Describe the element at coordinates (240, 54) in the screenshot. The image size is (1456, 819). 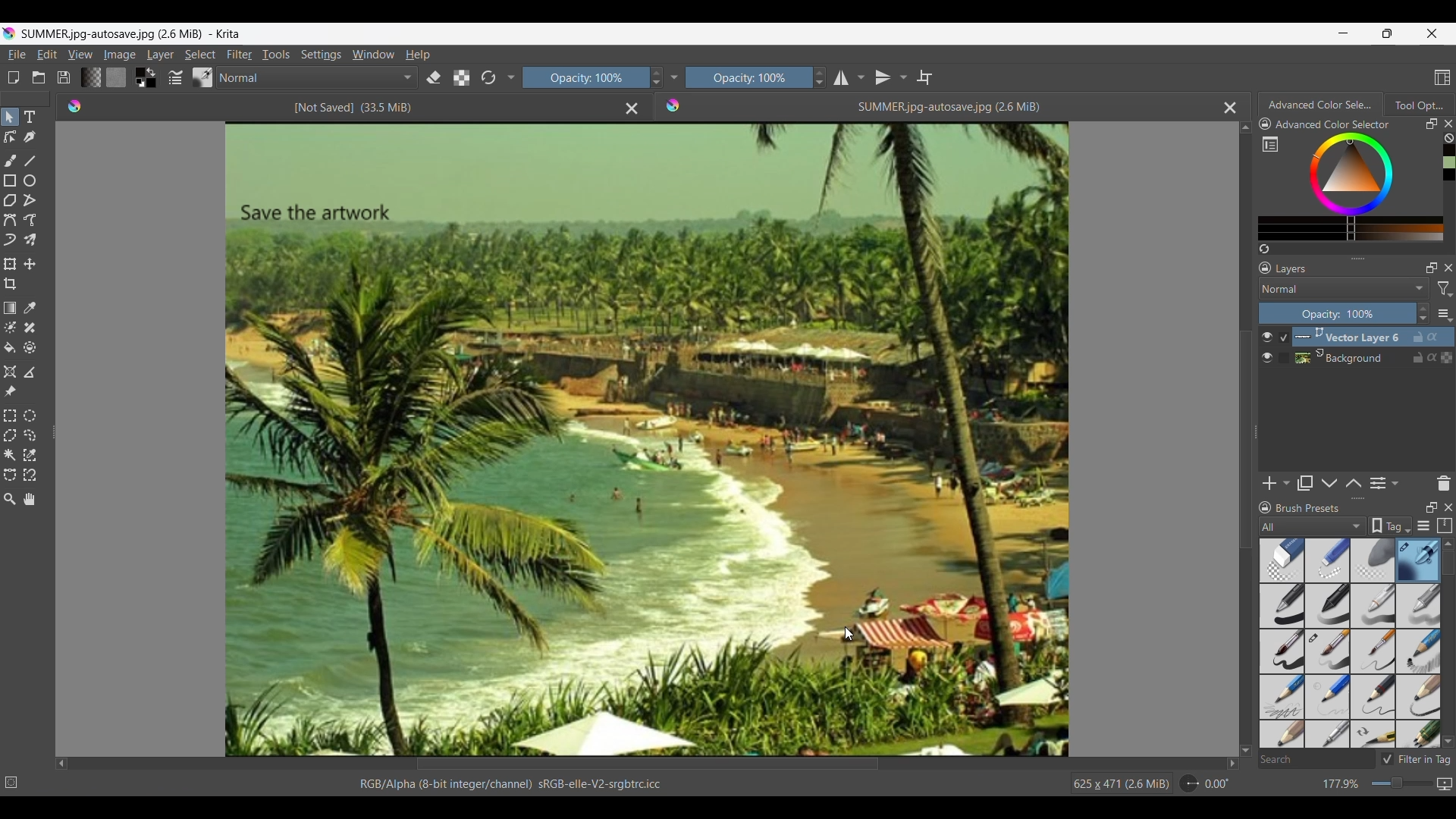
I see `Filter` at that location.